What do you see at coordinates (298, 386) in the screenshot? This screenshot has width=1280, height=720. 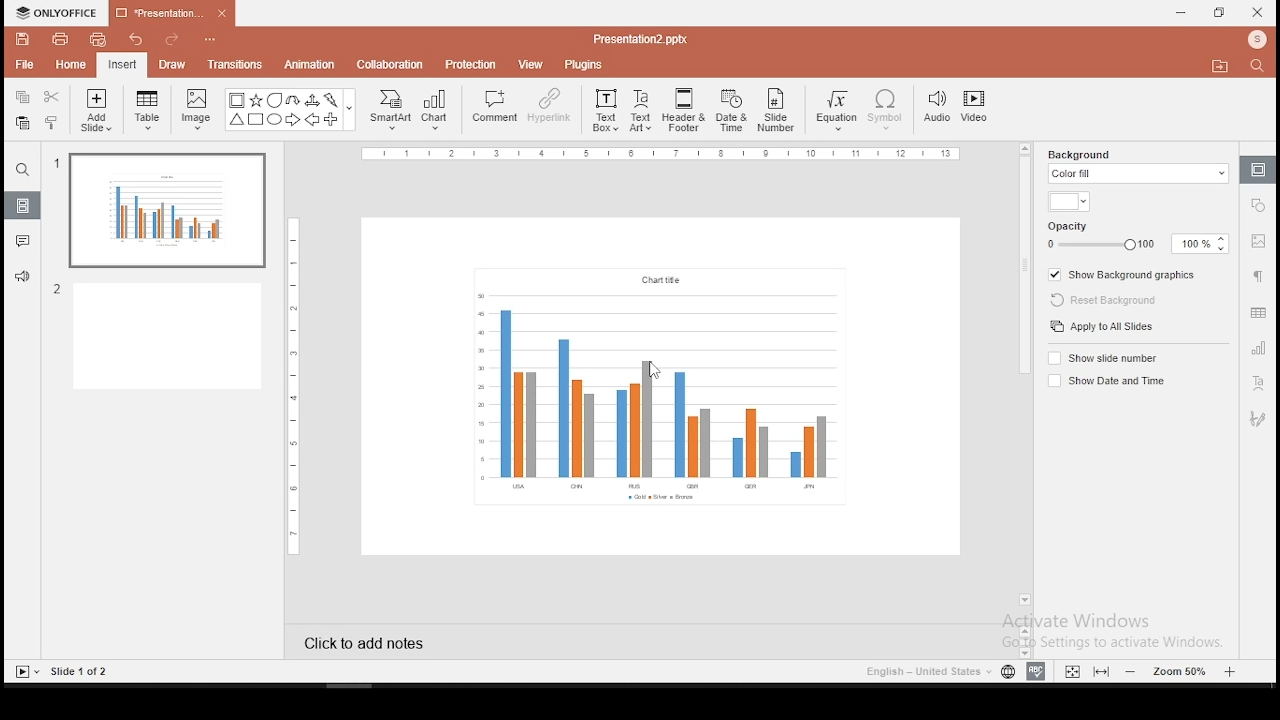 I see `Scale` at bounding box center [298, 386].